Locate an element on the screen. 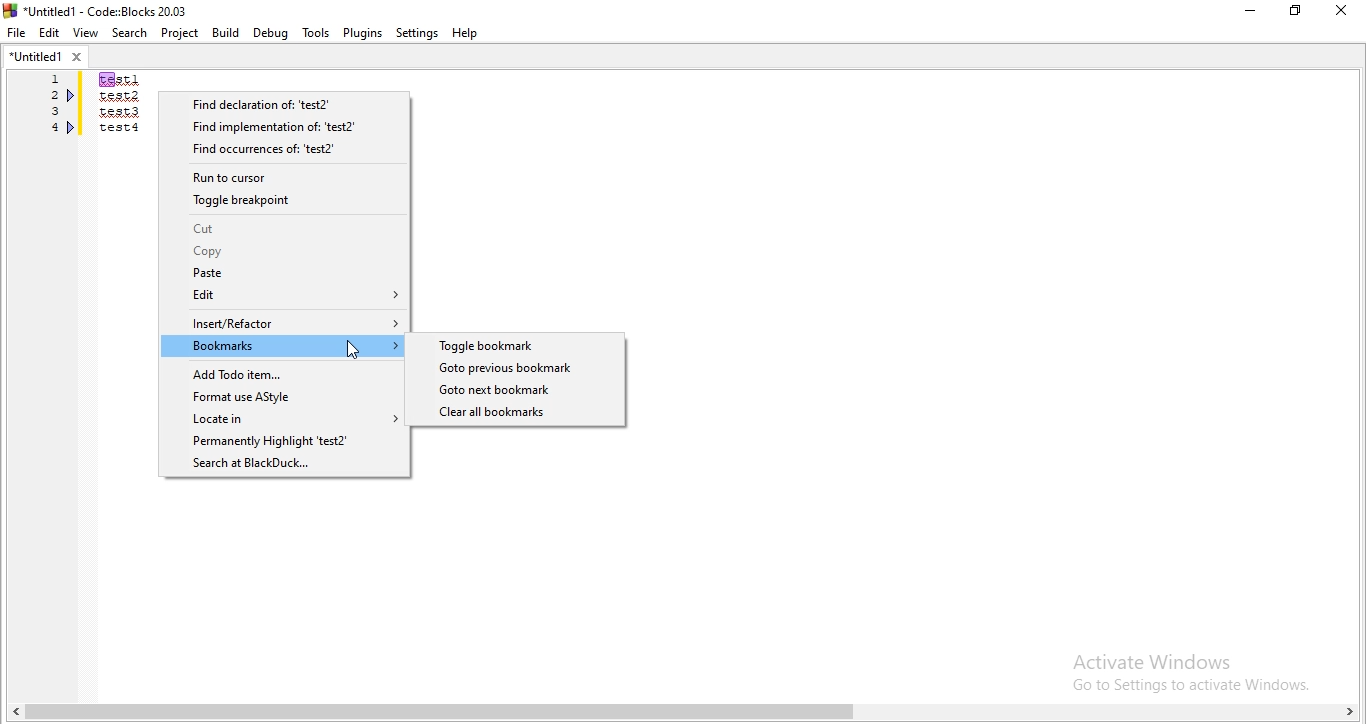 This screenshot has height=724, width=1366. Debugger Point is located at coordinates (72, 130).